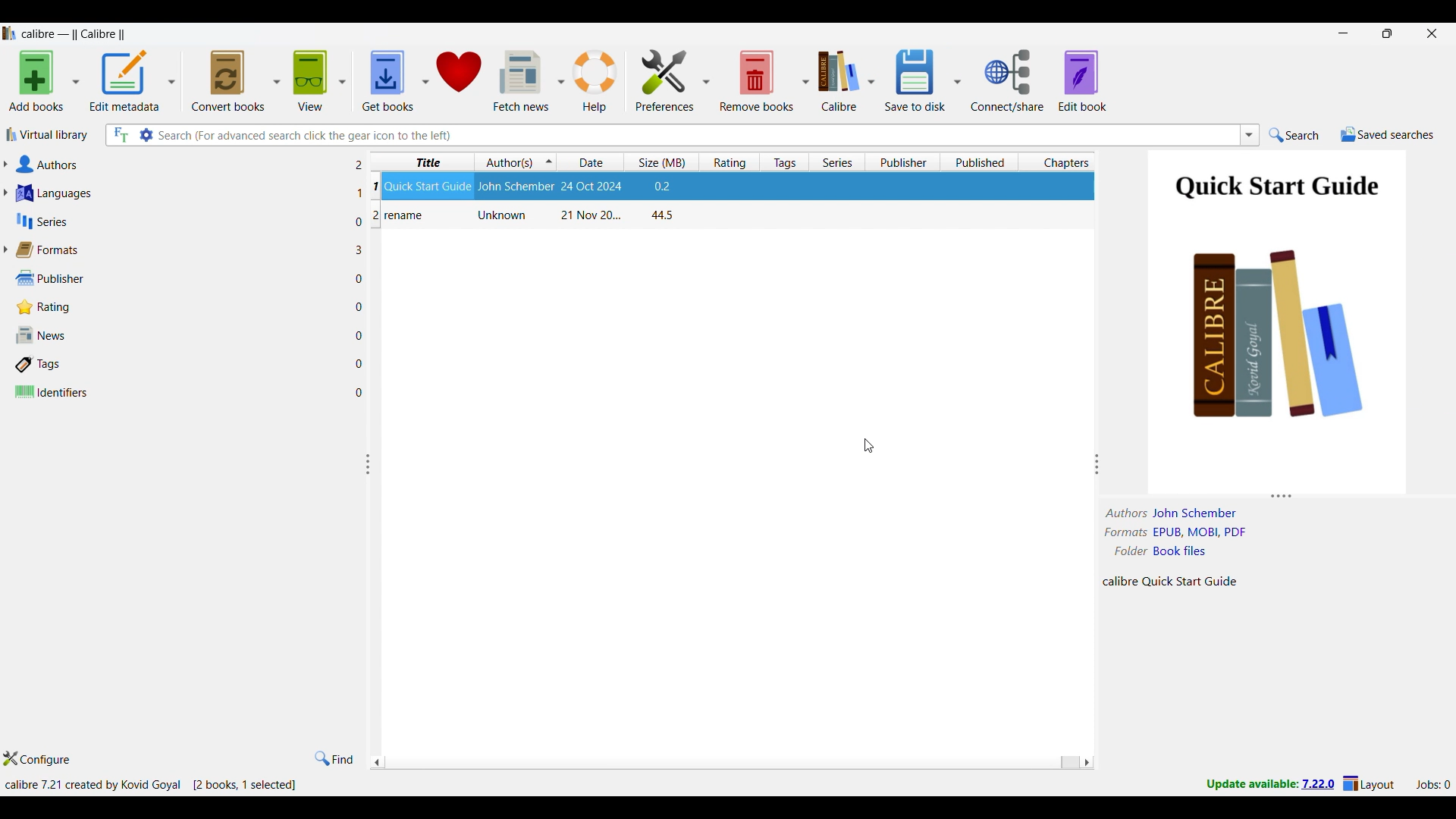 This screenshot has height=819, width=1456. I want to click on 0, so click(362, 335).